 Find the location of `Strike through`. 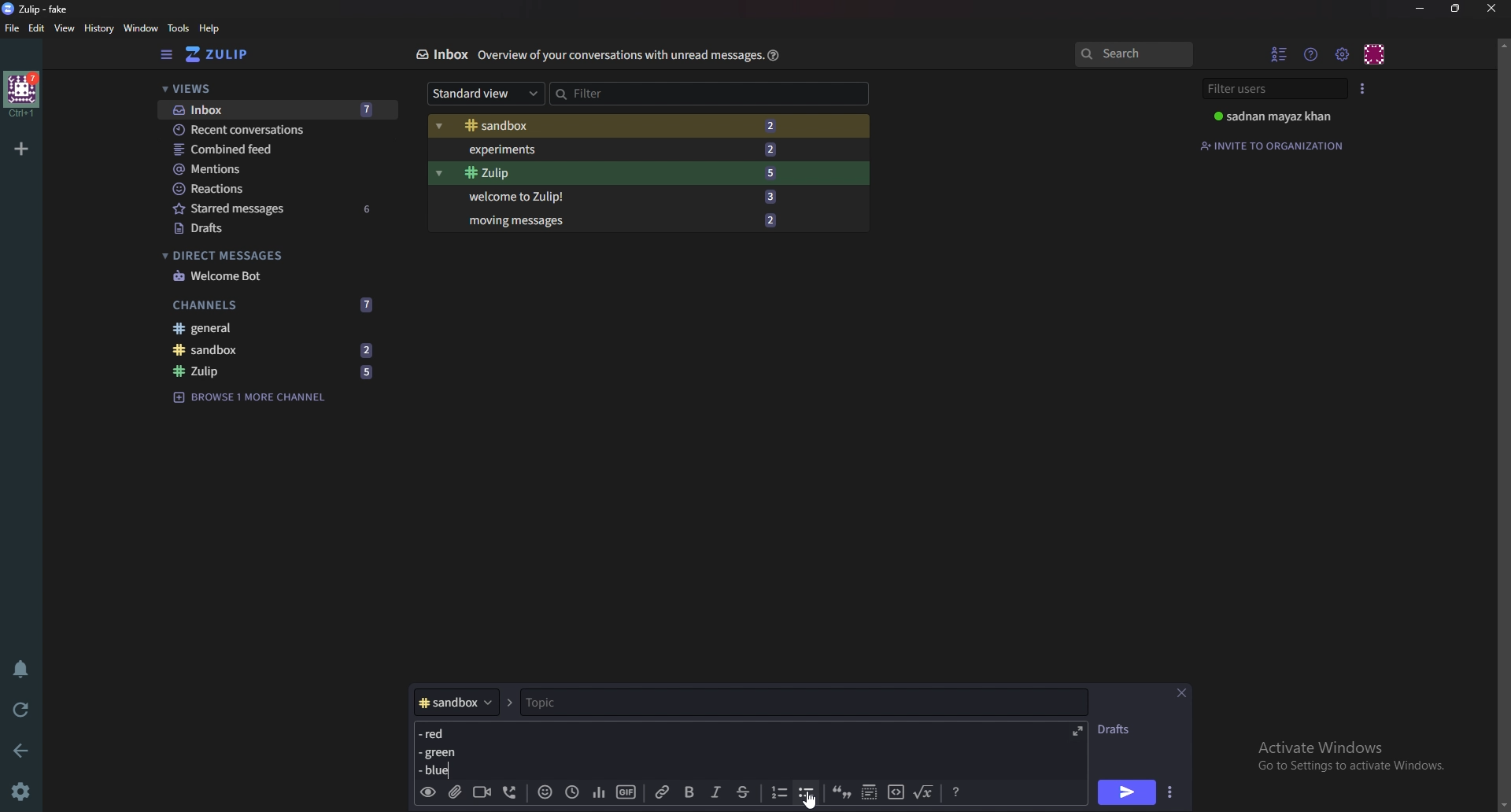

Strike through is located at coordinates (743, 792).